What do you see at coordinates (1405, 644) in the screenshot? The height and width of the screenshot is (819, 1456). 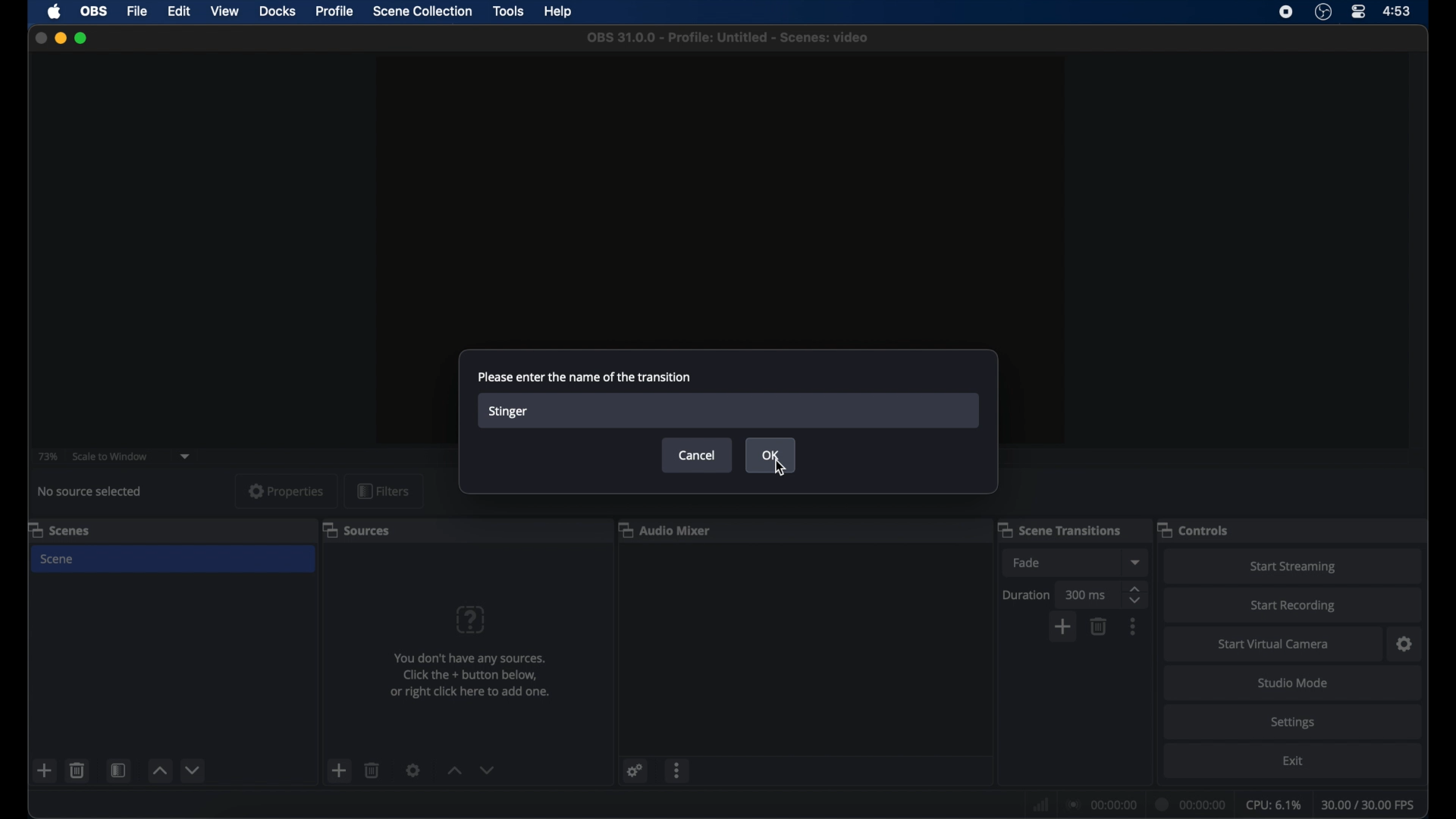 I see `settings` at bounding box center [1405, 644].